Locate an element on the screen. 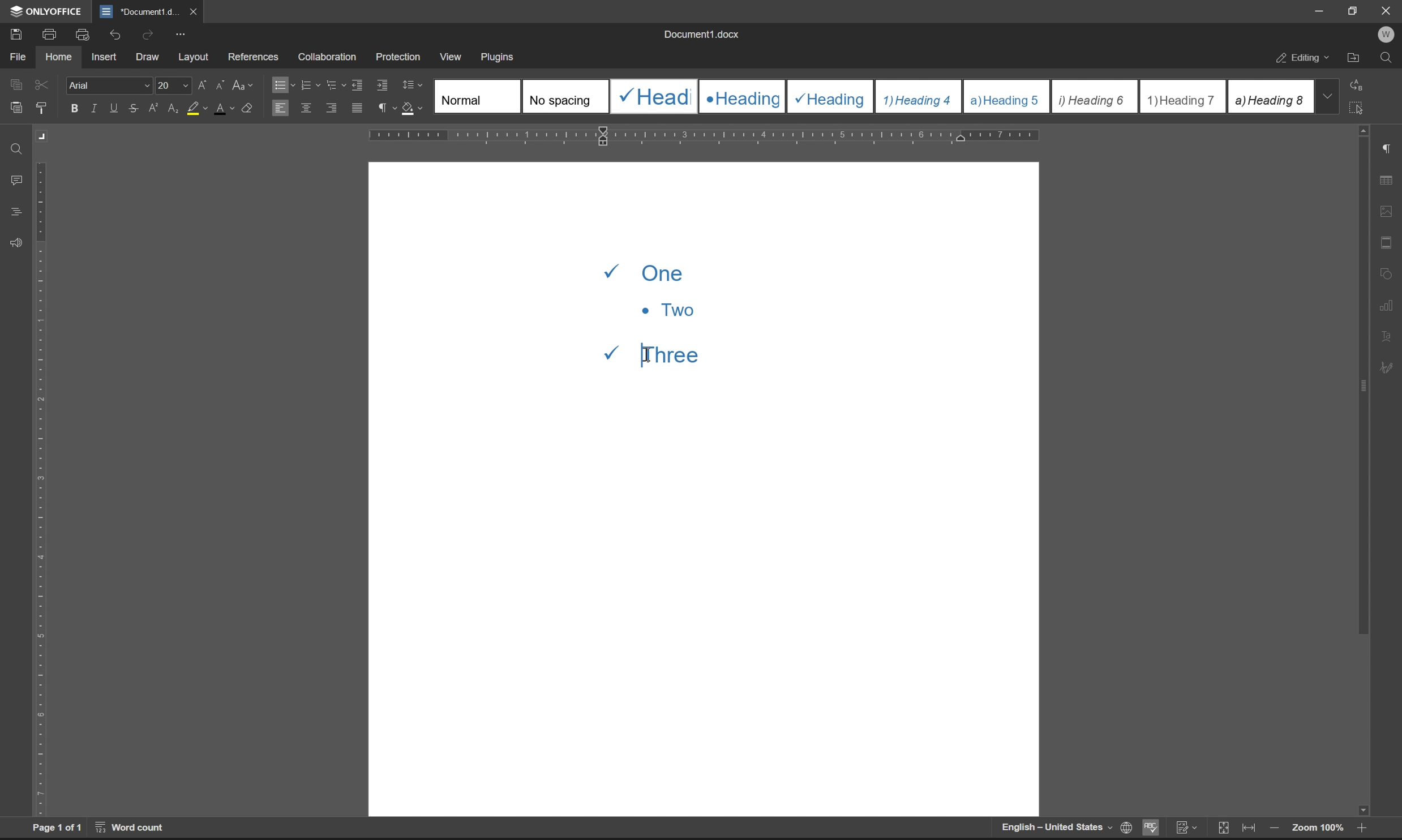 The width and height of the screenshot is (1402, 840). font size is located at coordinates (171, 84).